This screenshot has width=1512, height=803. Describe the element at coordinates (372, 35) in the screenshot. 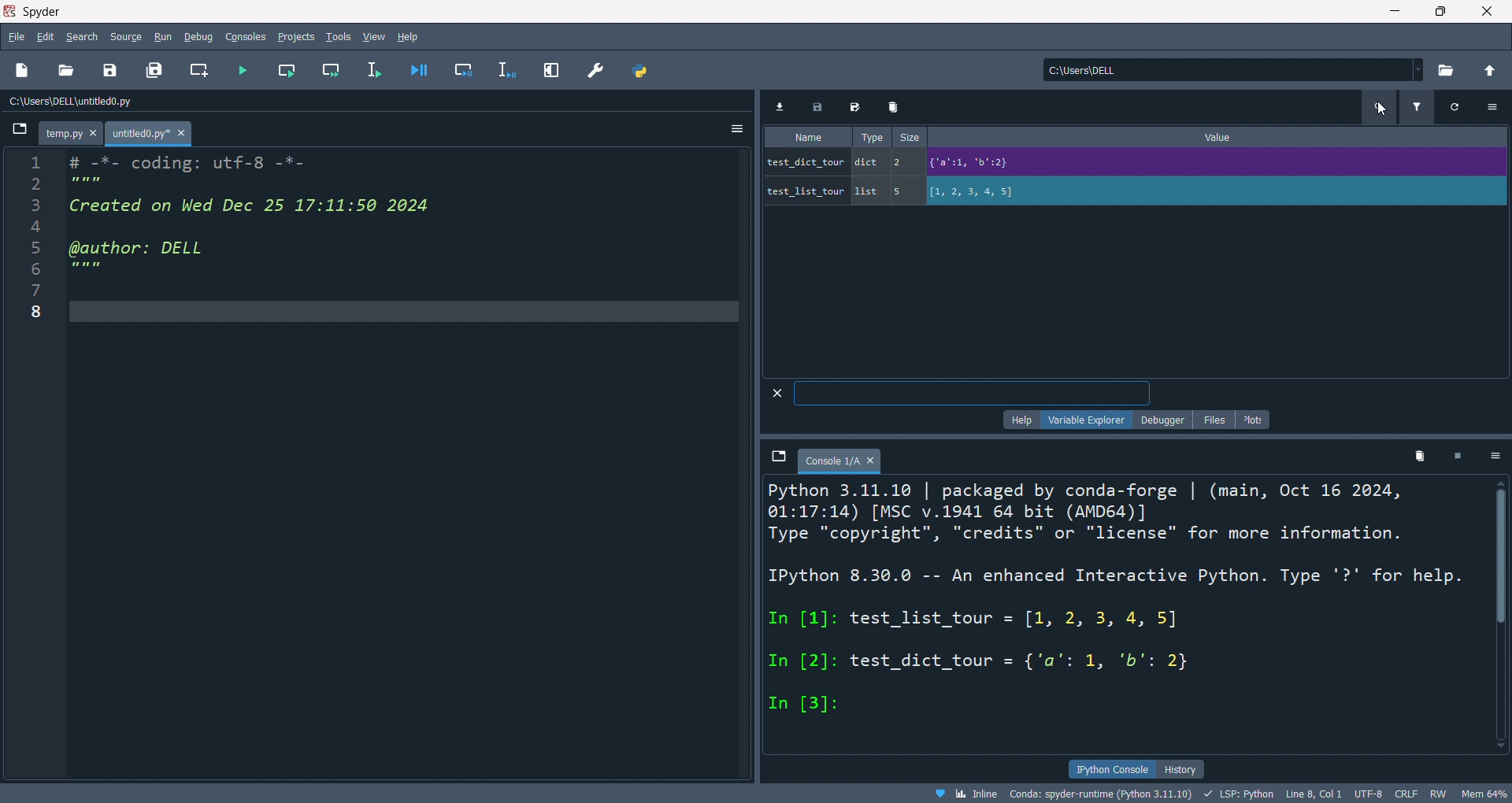

I see `view` at that location.